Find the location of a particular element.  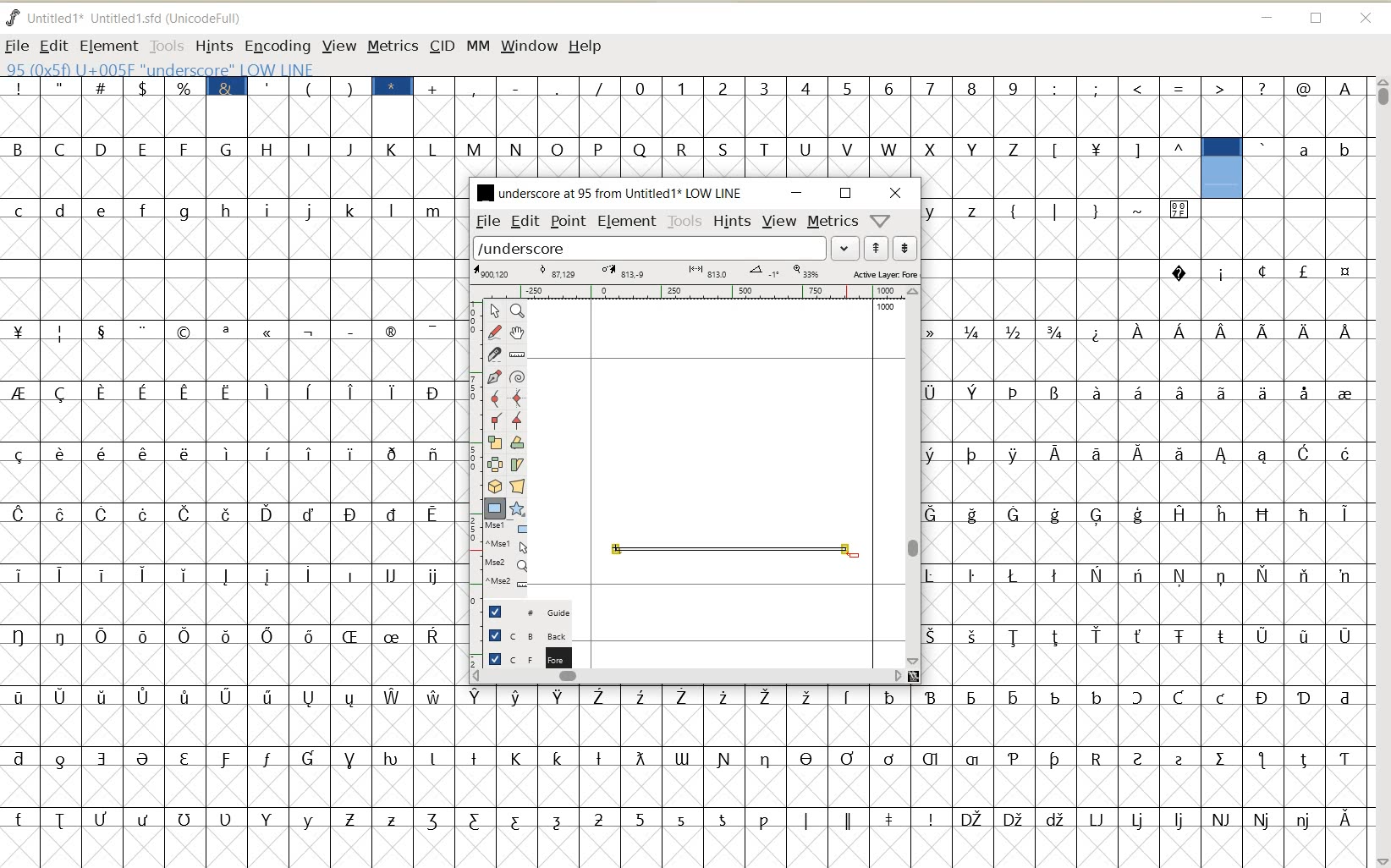

polygon or star is located at coordinates (516, 508).